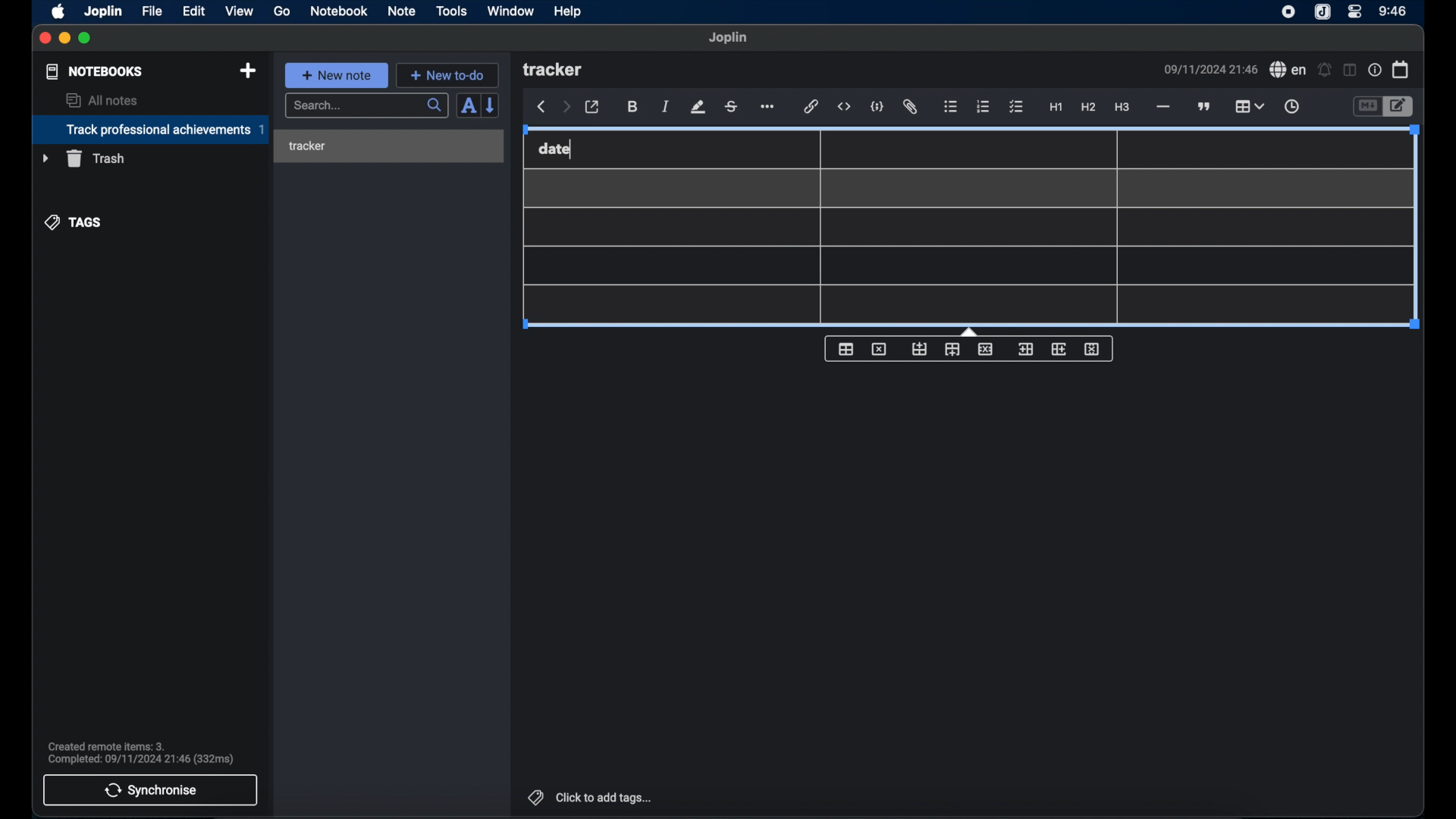 The height and width of the screenshot is (819, 1456). Describe the element at coordinates (104, 11) in the screenshot. I see `joplin` at that location.